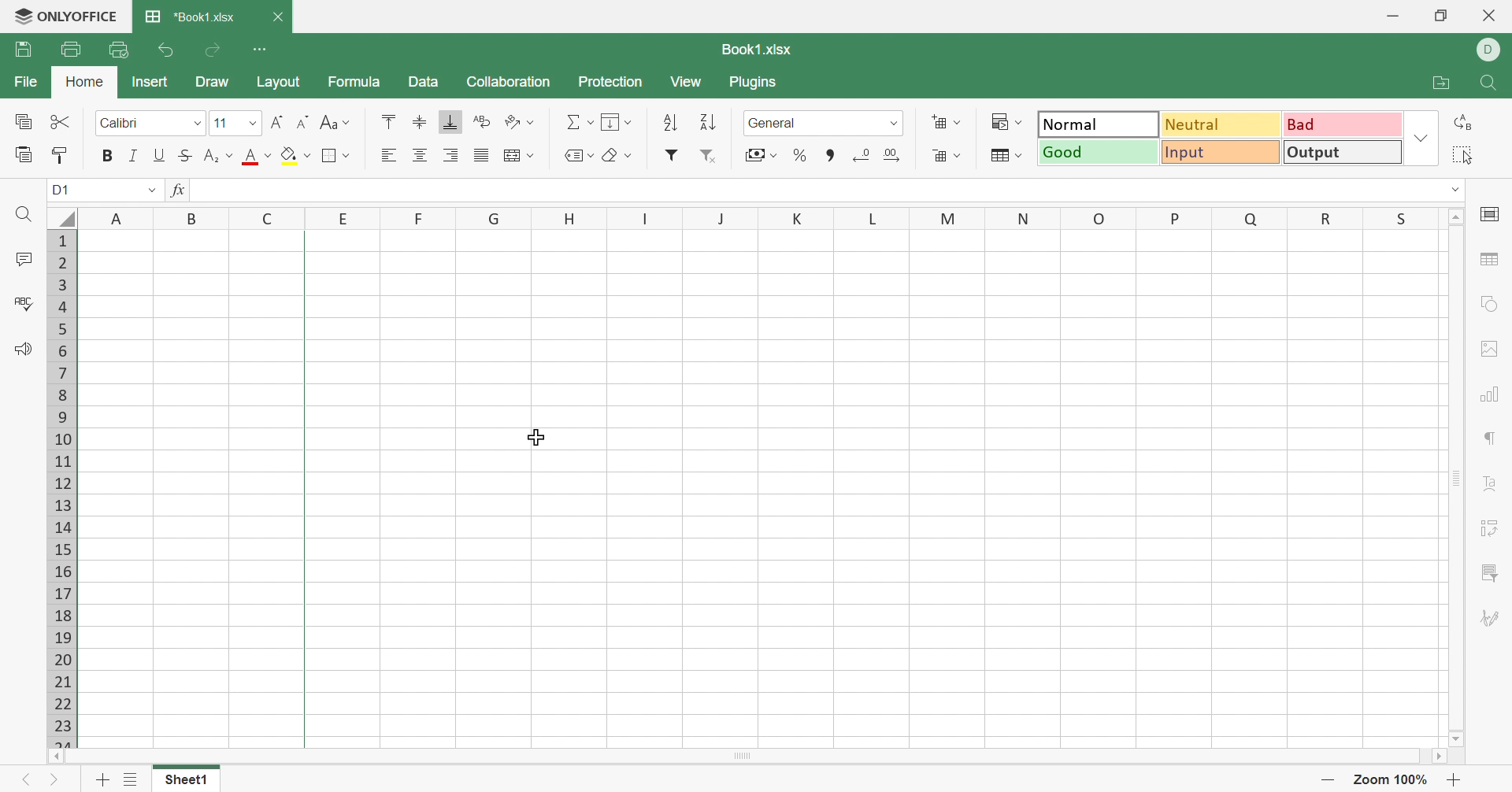 The height and width of the screenshot is (792, 1512). What do you see at coordinates (61, 156) in the screenshot?
I see `Copy Style` at bounding box center [61, 156].